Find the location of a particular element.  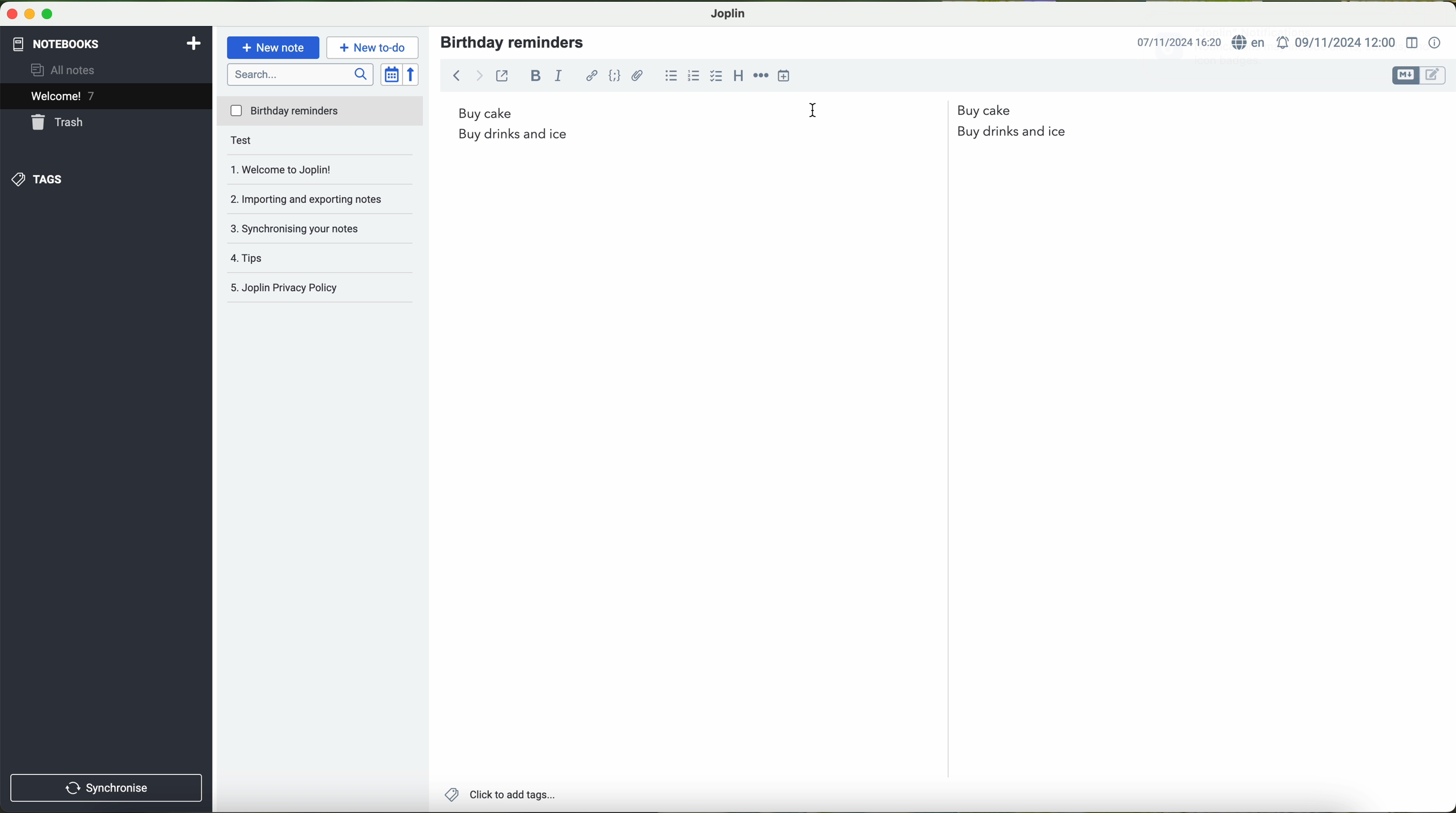

internet is located at coordinates (1247, 42).